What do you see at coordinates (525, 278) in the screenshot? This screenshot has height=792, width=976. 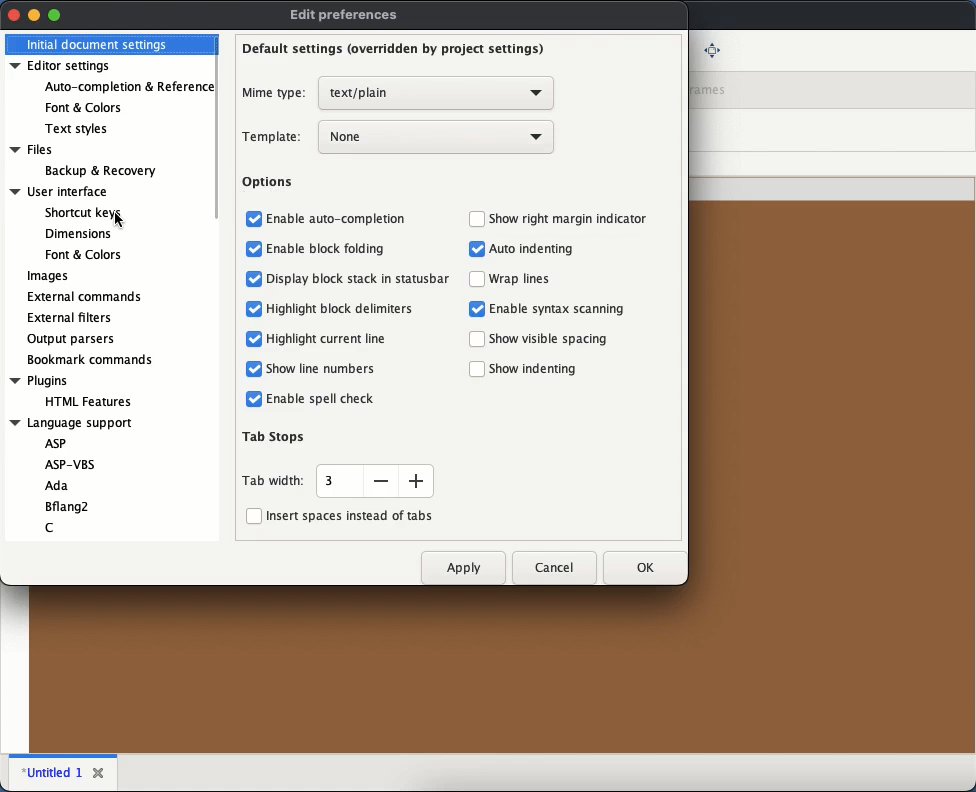 I see `Wrap lines` at bounding box center [525, 278].